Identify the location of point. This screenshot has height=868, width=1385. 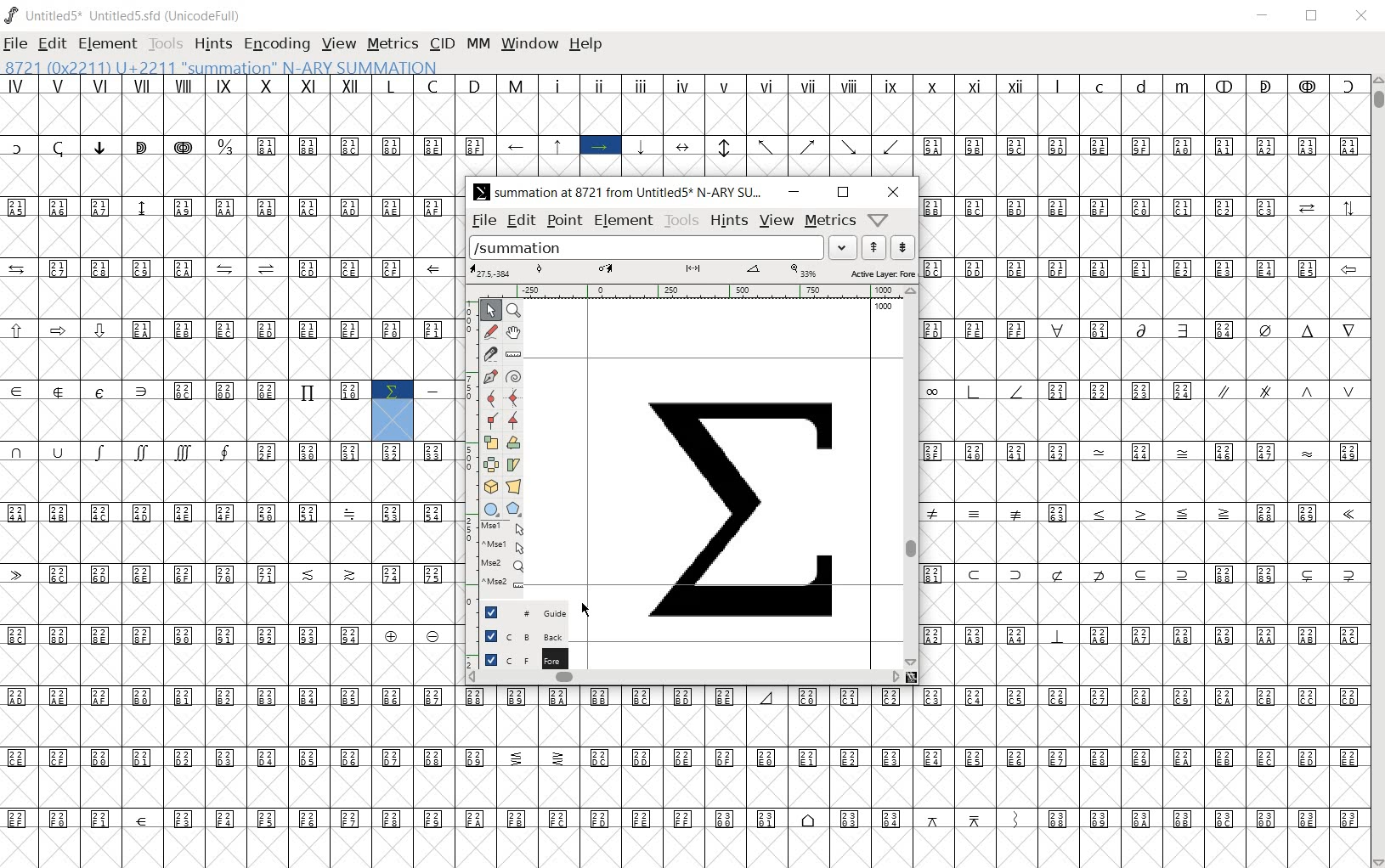
(563, 221).